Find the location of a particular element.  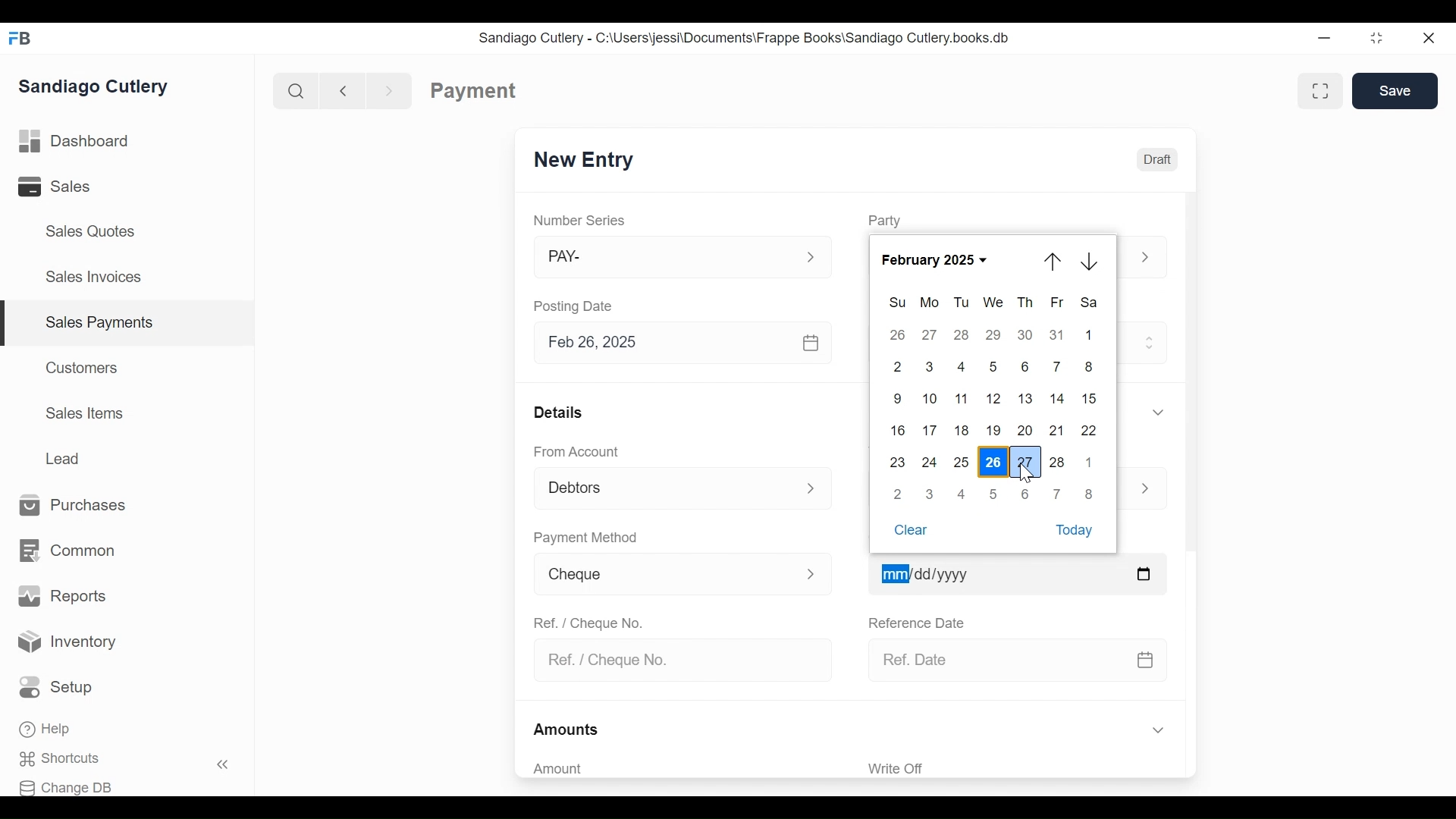

11 is located at coordinates (962, 399).